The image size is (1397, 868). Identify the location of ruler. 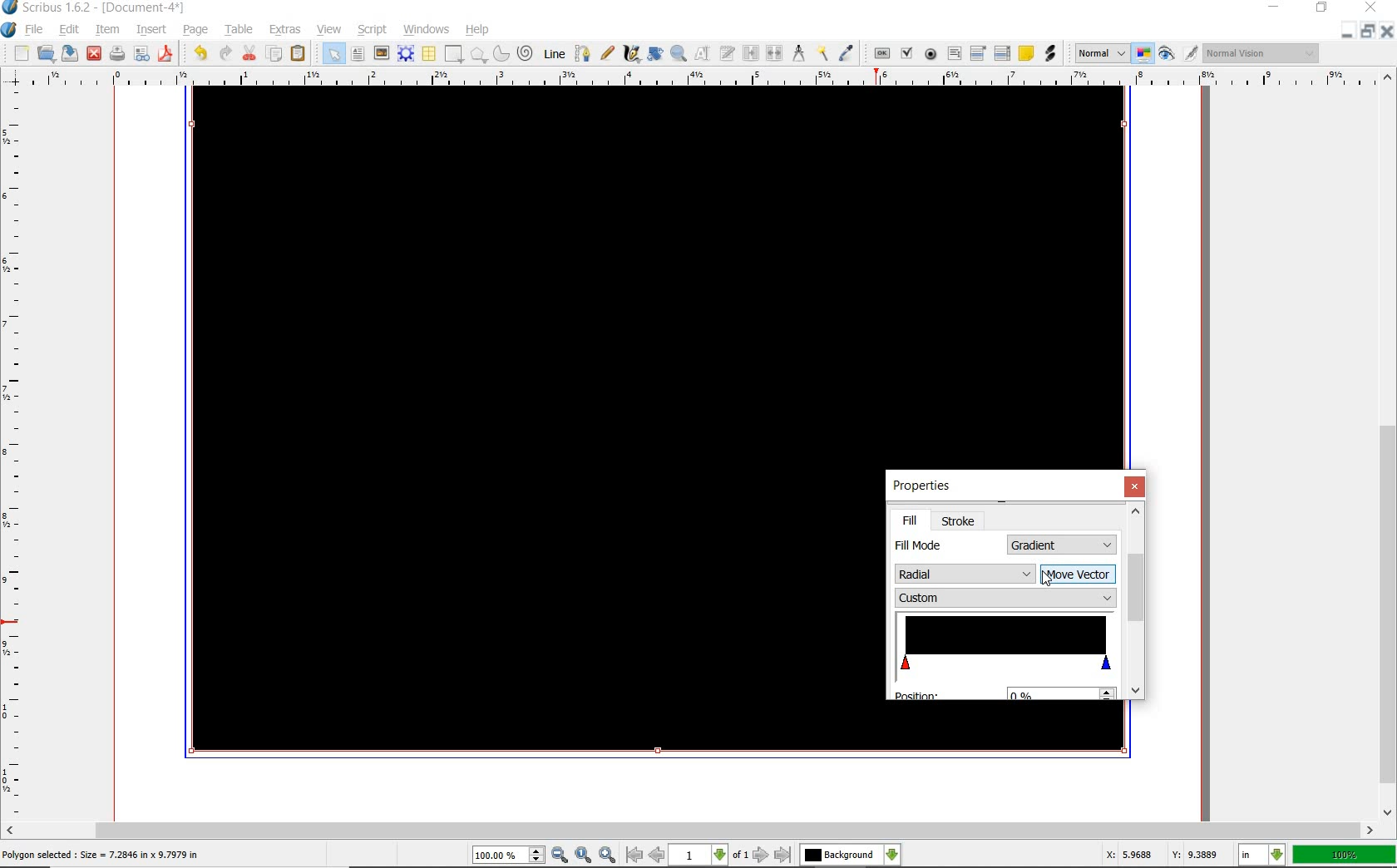
(701, 79).